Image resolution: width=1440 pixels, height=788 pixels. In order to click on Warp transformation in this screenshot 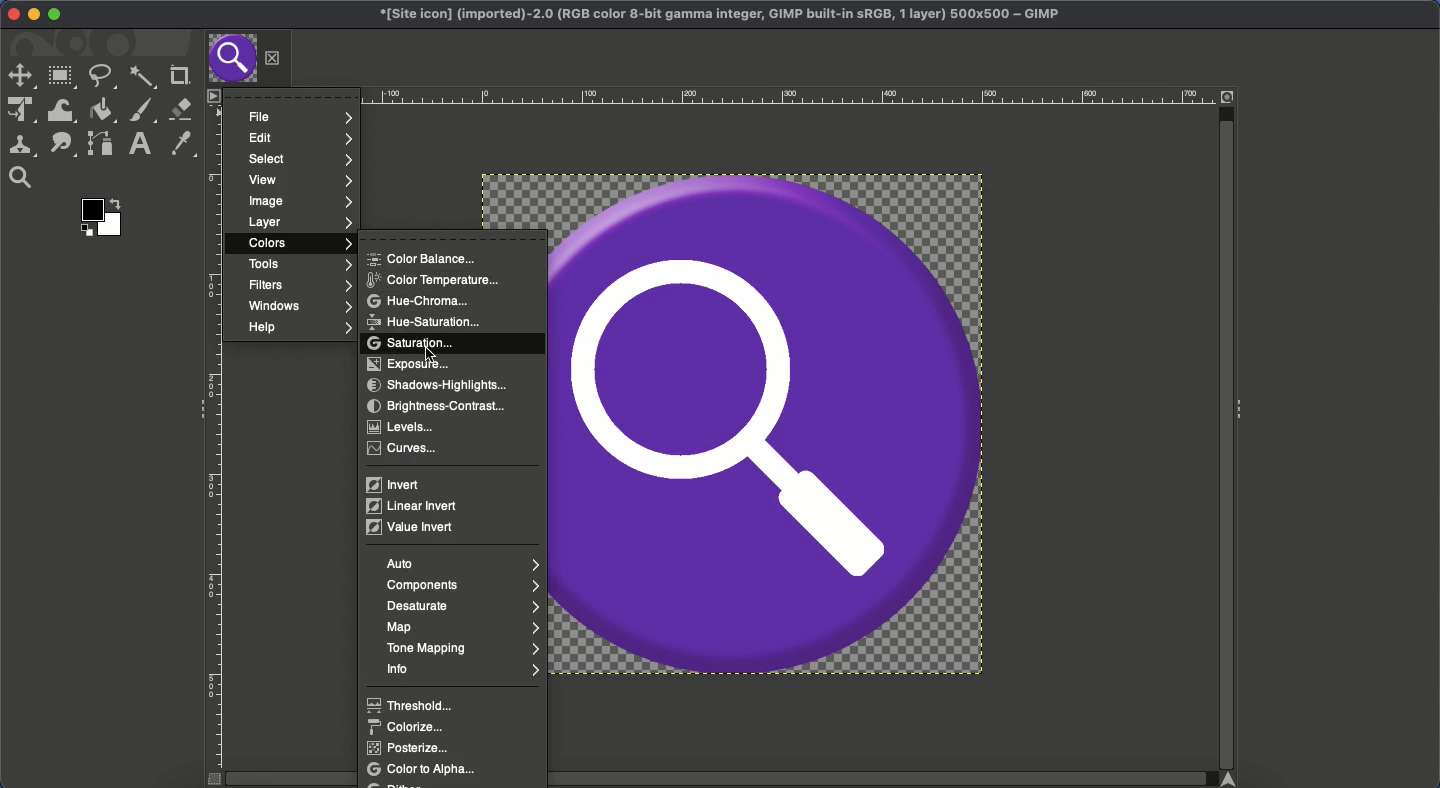, I will do `click(59, 110)`.